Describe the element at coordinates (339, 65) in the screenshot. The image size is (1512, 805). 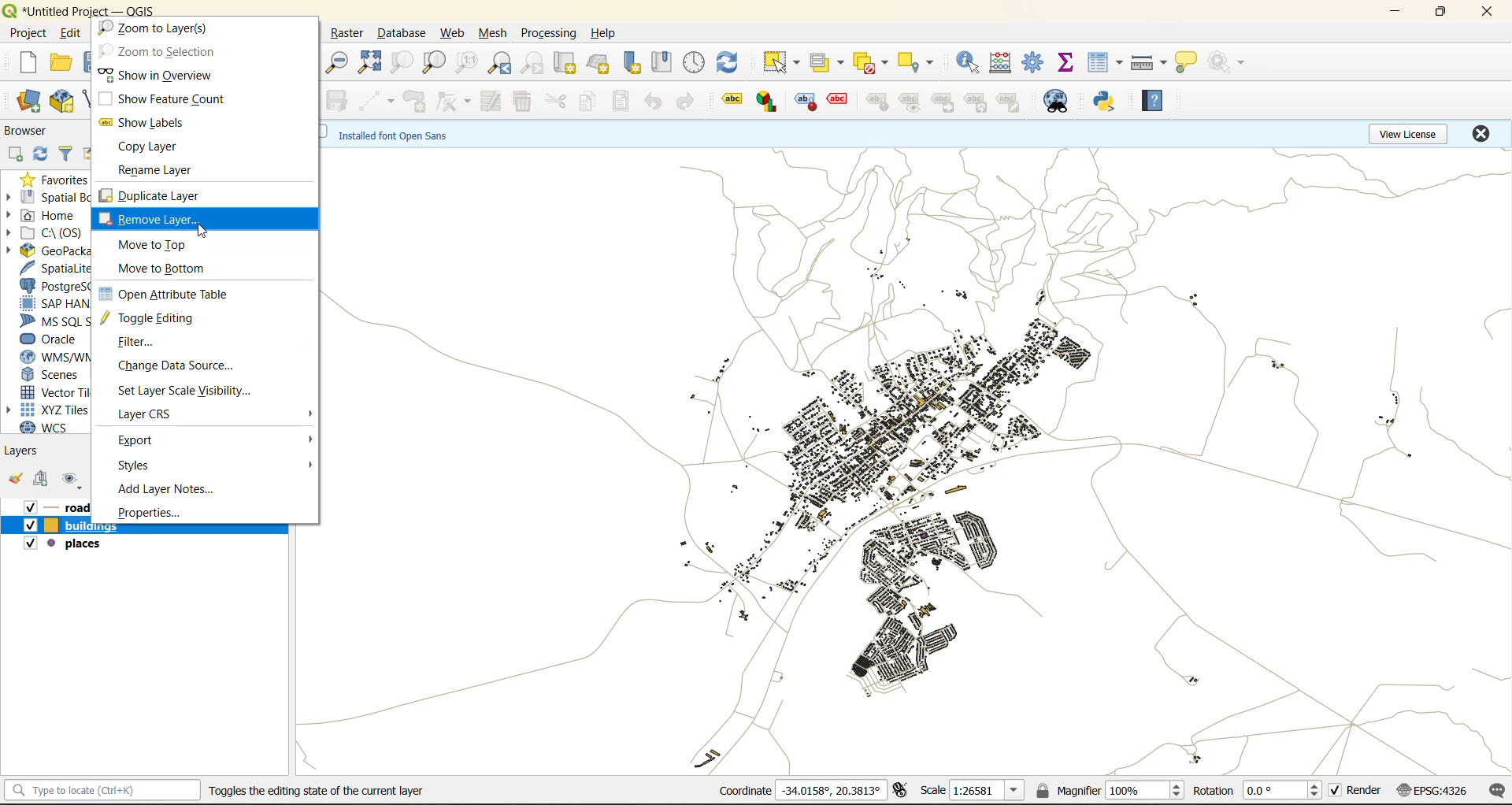
I see `zoom out` at that location.